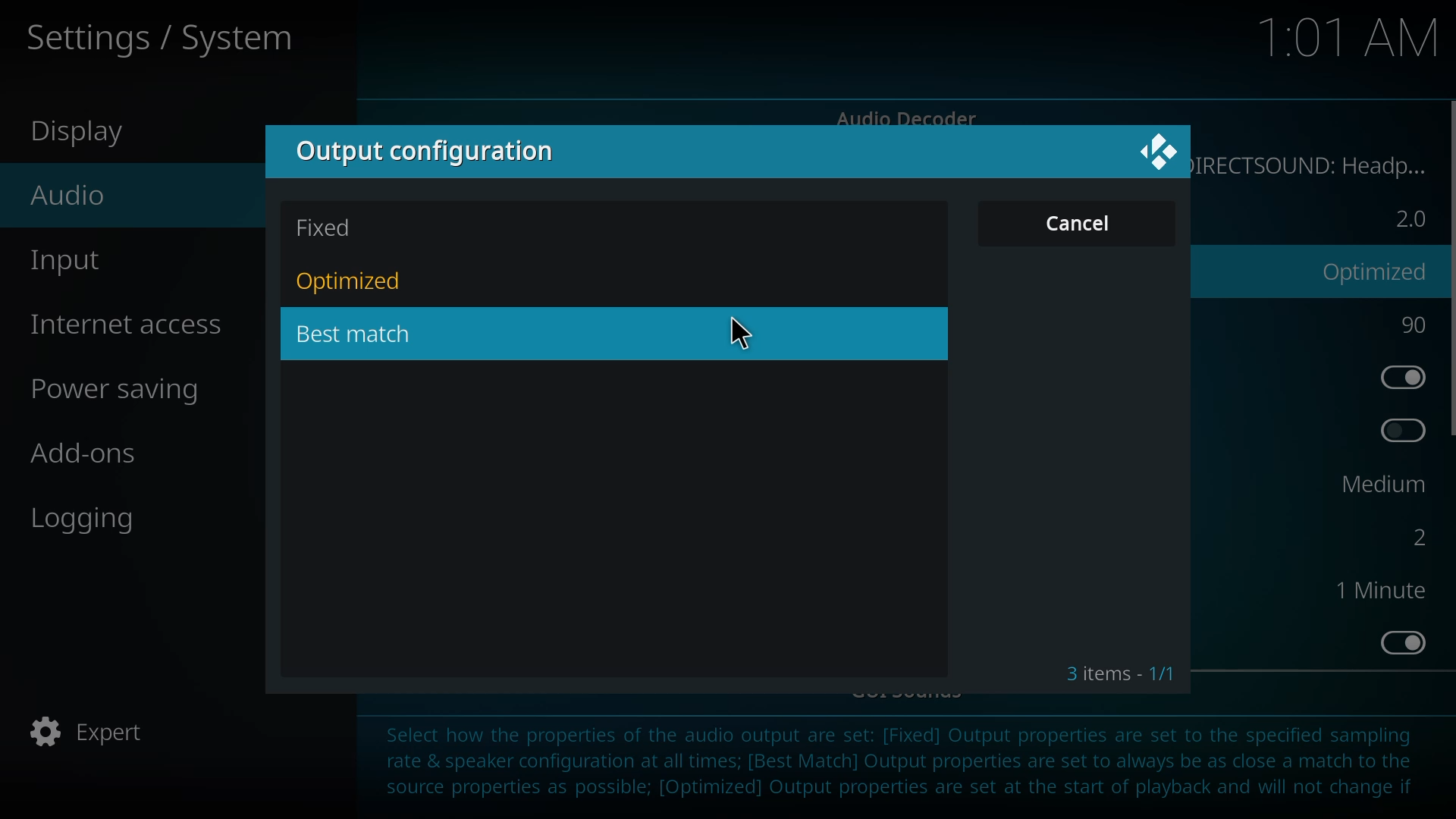  I want to click on best match, so click(365, 337).